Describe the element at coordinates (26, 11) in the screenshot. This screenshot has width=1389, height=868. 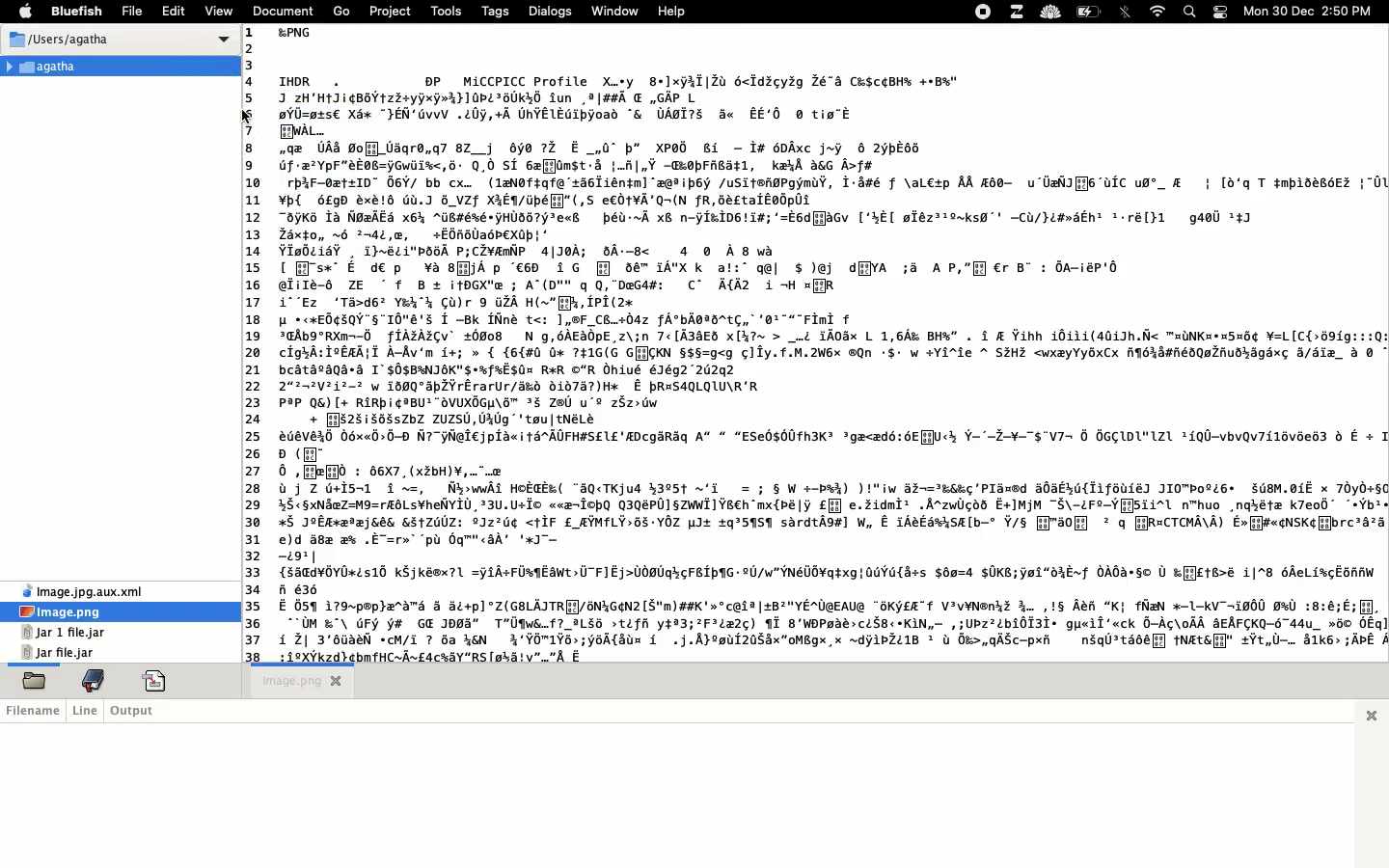
I see `apple ` at that location.